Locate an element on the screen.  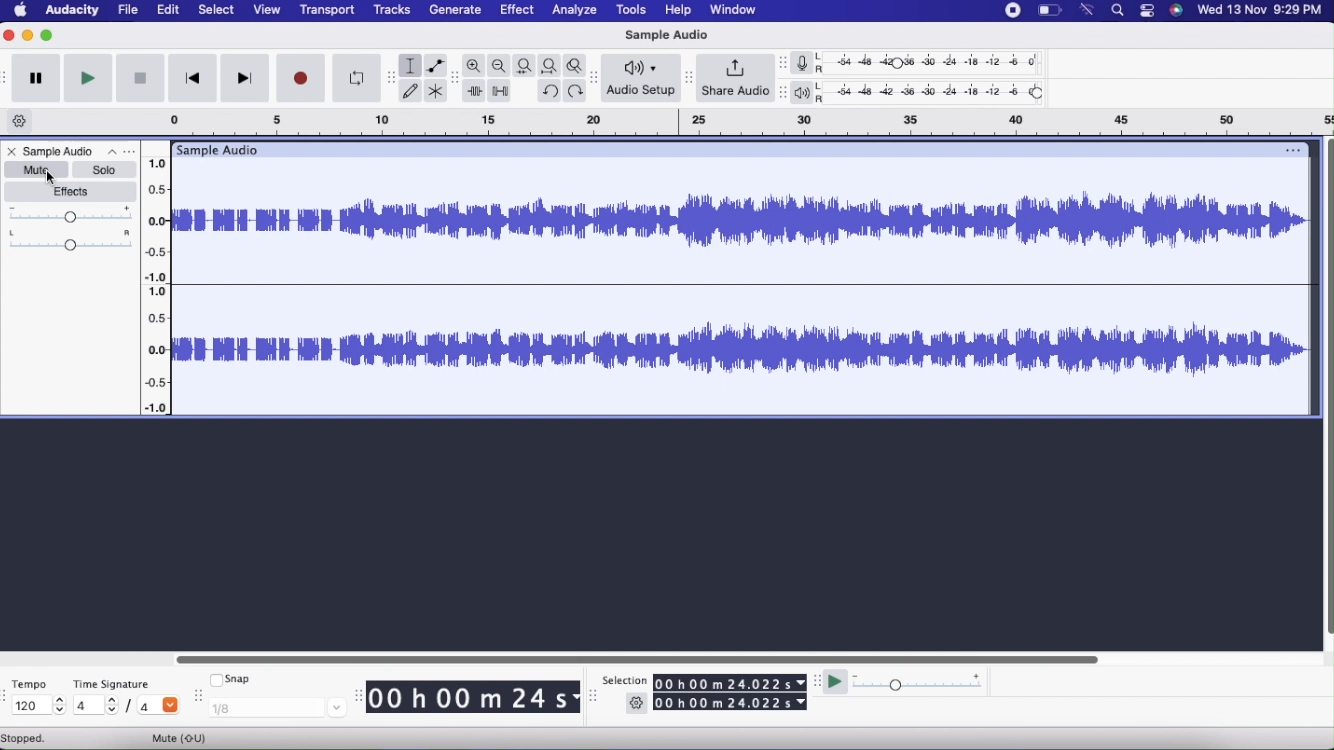
Adjust is located at coordinates (779, 92).